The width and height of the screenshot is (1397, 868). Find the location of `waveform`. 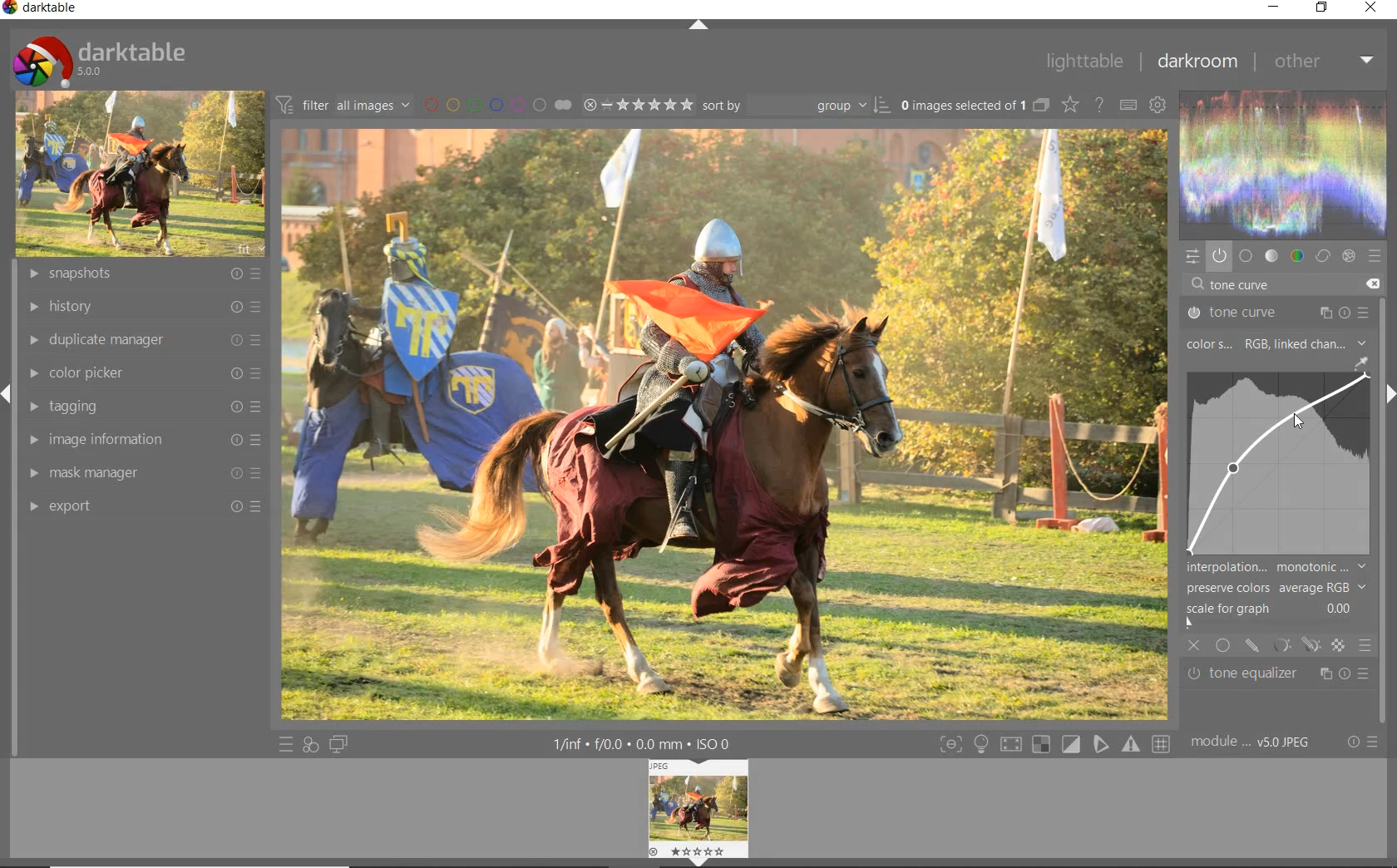

waveform is located at coordinates (1284, 163).